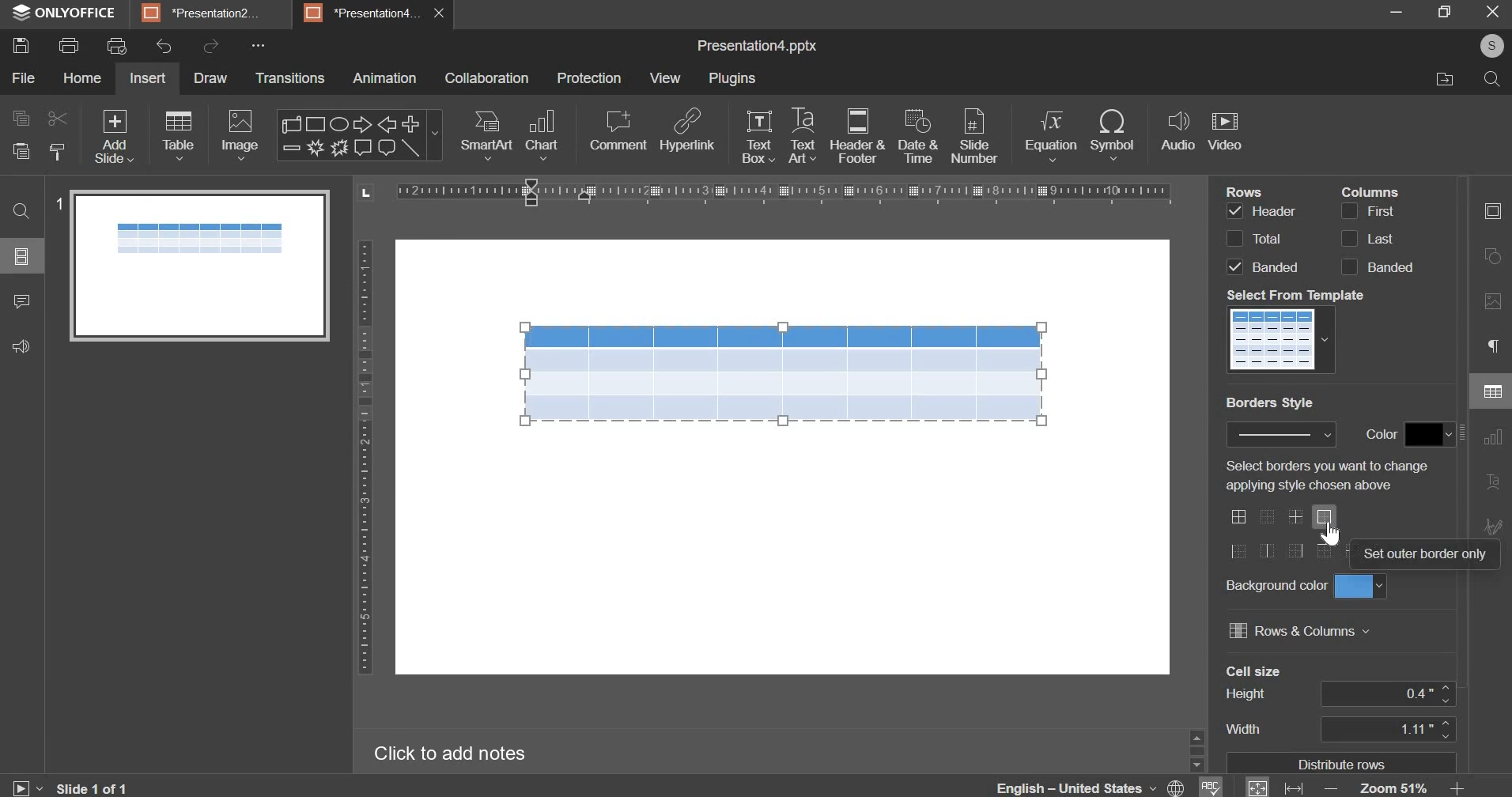 Image resolution: width=1512 pixels, height=797 pixels. I want to click on English - United States, so click(1076, 788).